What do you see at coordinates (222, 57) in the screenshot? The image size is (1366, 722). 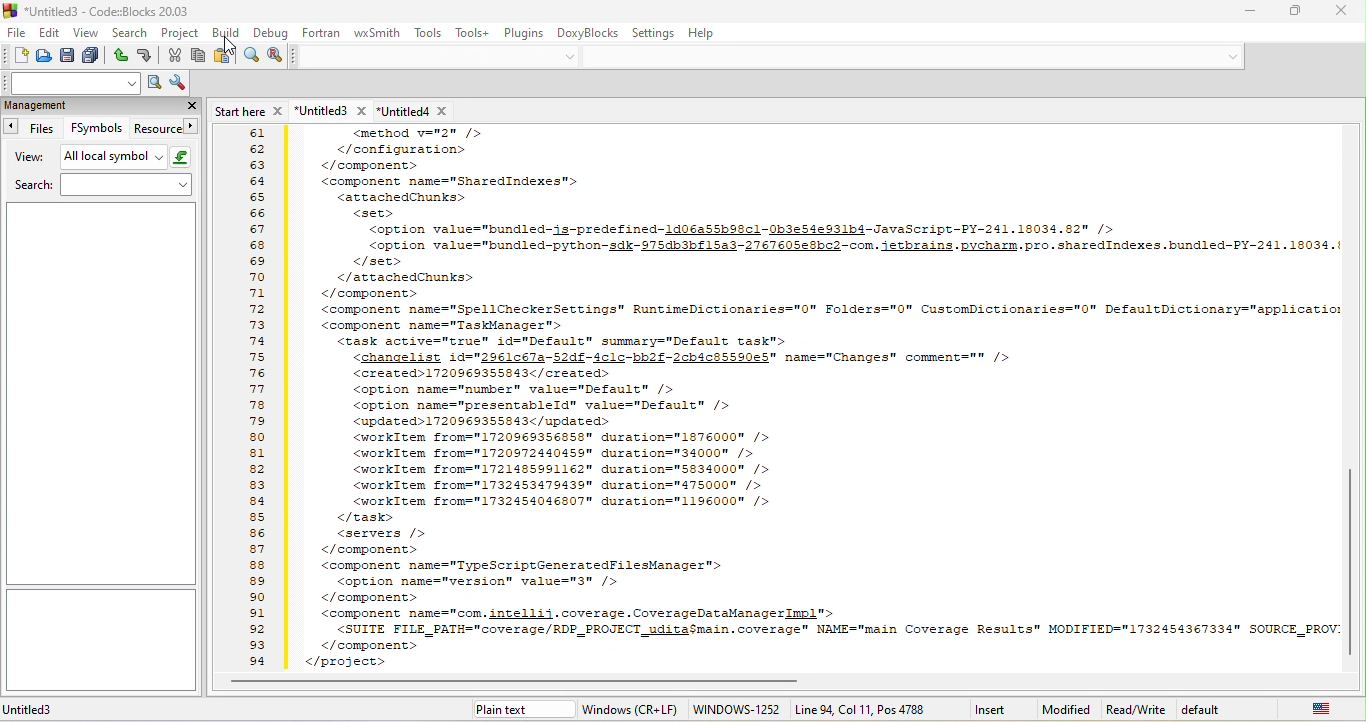 I see `paste` at bounding box center [222, 57].